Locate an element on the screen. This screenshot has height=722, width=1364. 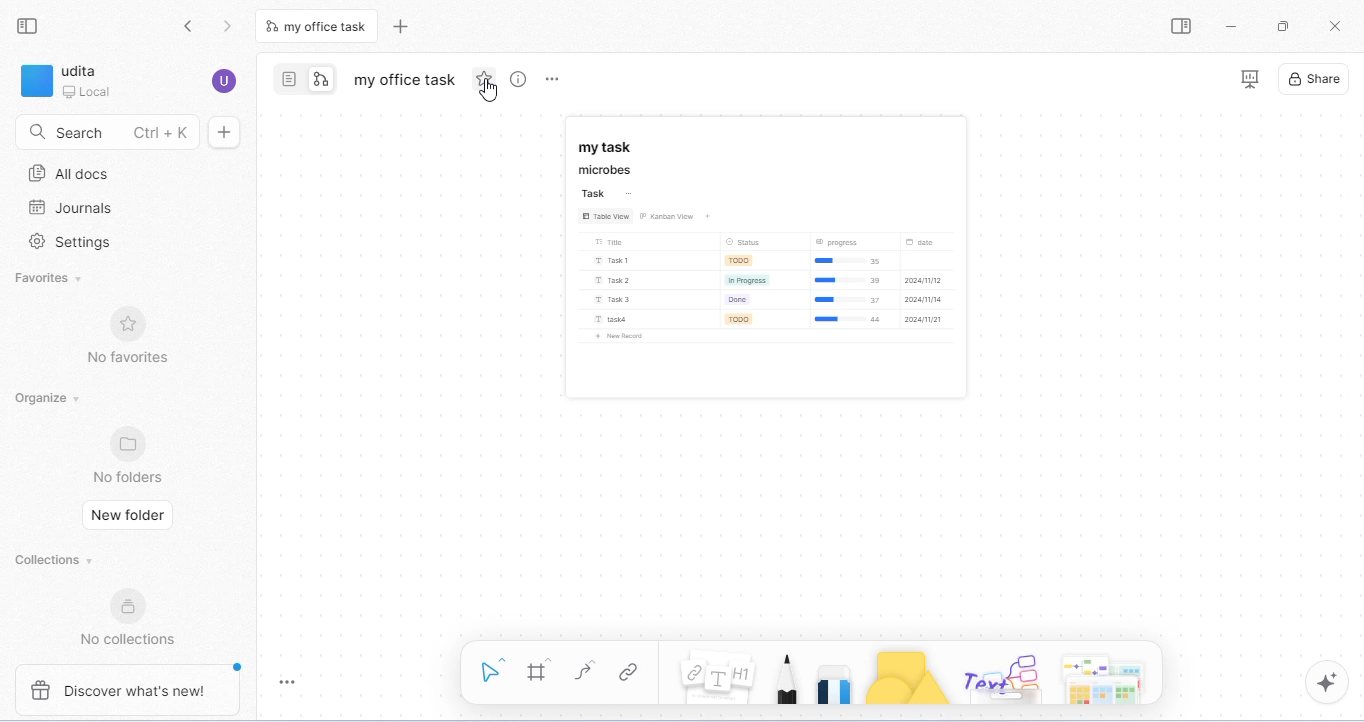
select is located at coordinates (489, 668).